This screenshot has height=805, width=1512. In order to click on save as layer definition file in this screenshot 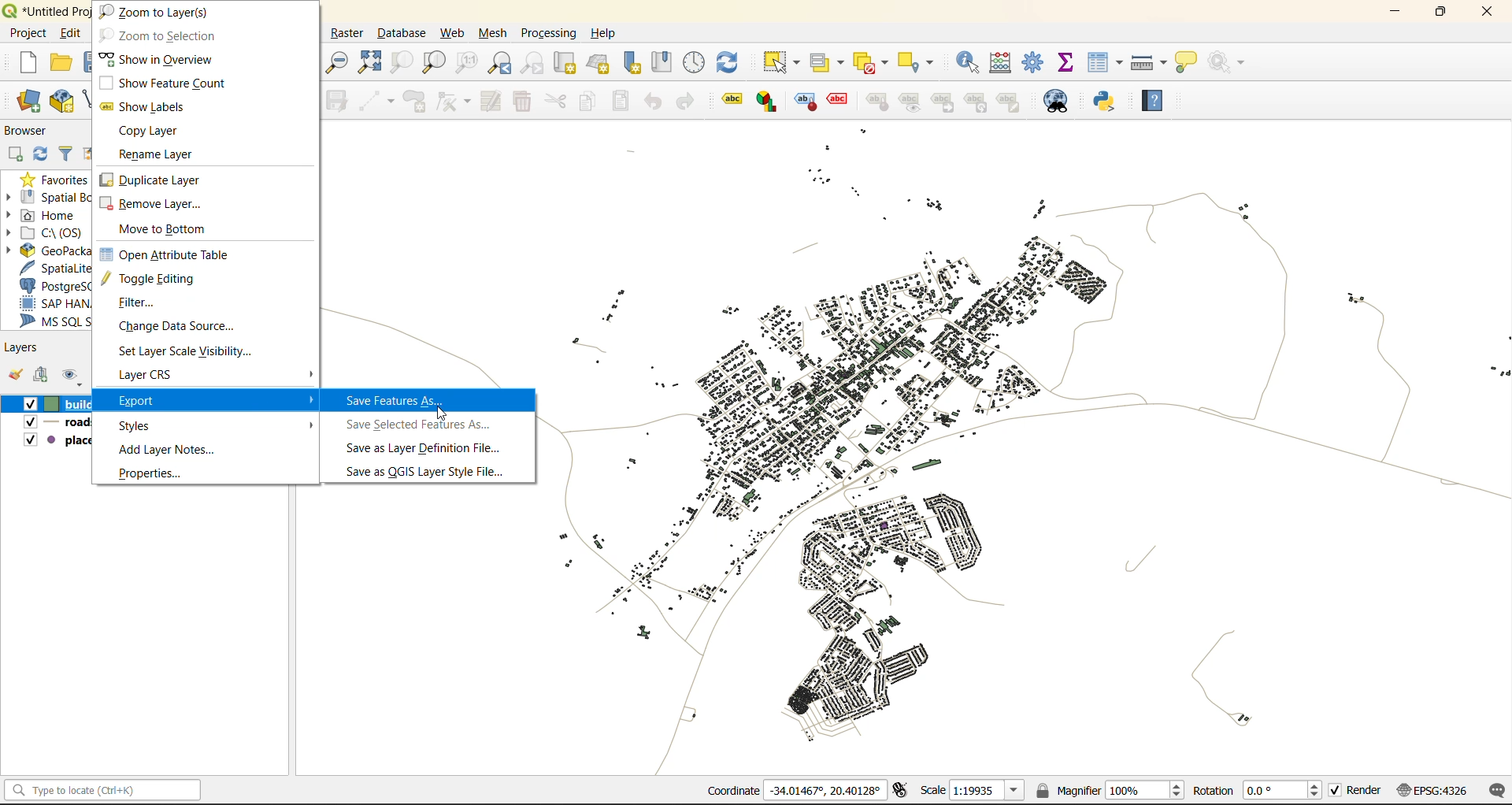, I will do `click(427, 448)`.